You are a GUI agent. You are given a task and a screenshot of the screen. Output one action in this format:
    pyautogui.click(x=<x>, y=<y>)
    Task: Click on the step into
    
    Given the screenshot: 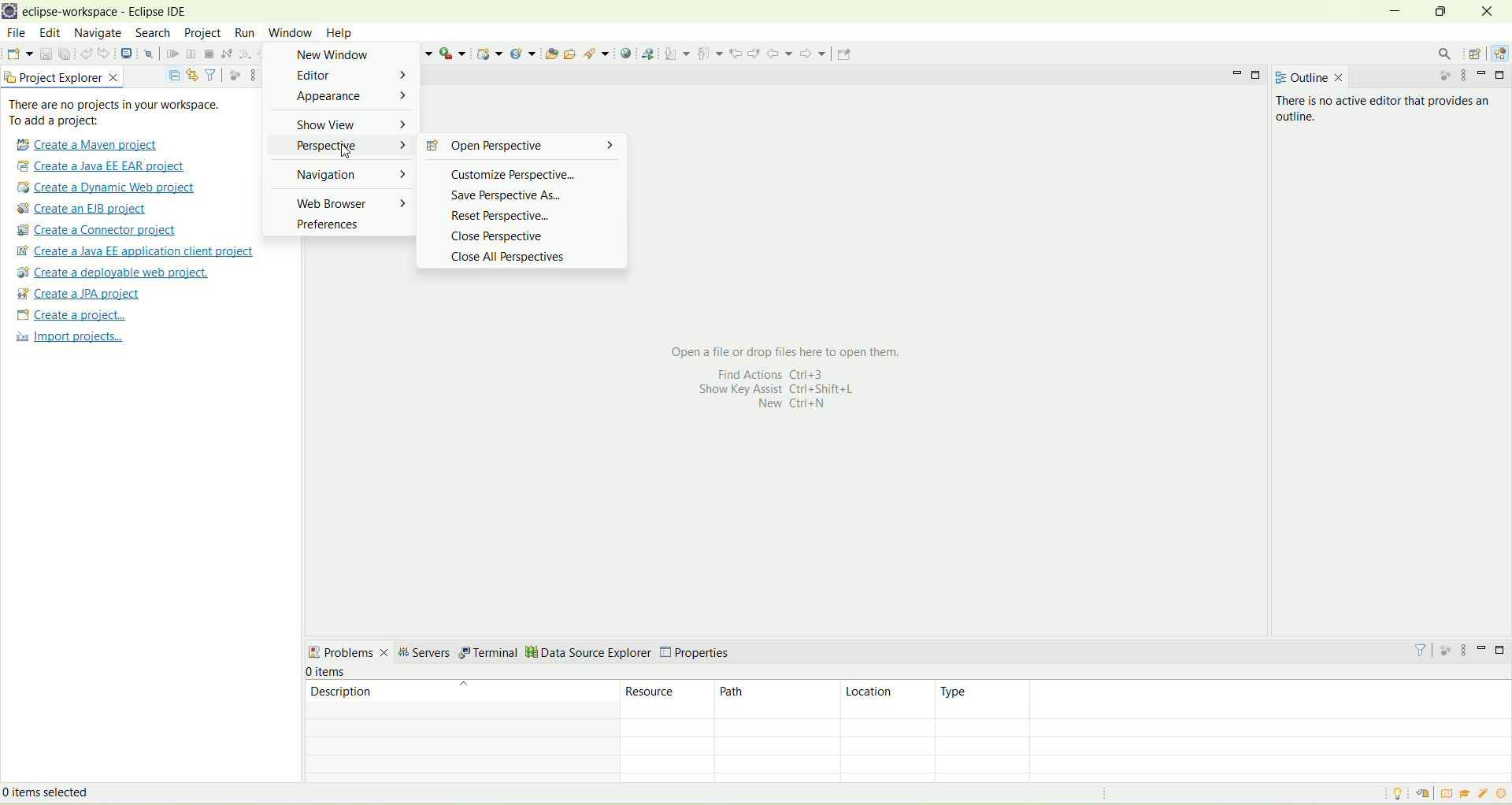 What is the action you would take?
    pyautogui.click(x=246, y=56)
    